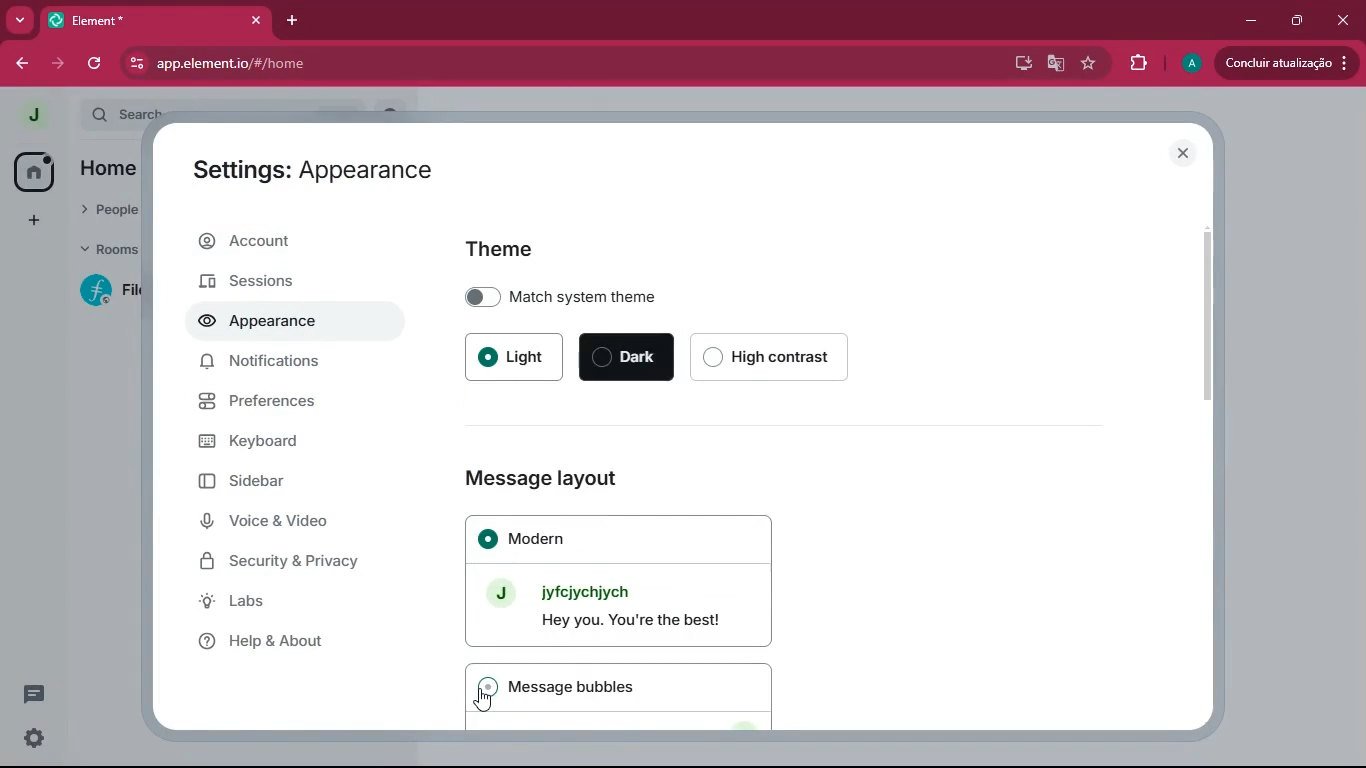 The height and width of the screenshot is (768, 1366). Describe the element at coordinates (288, 19) in the screenshot. I see `add tab` at that location.